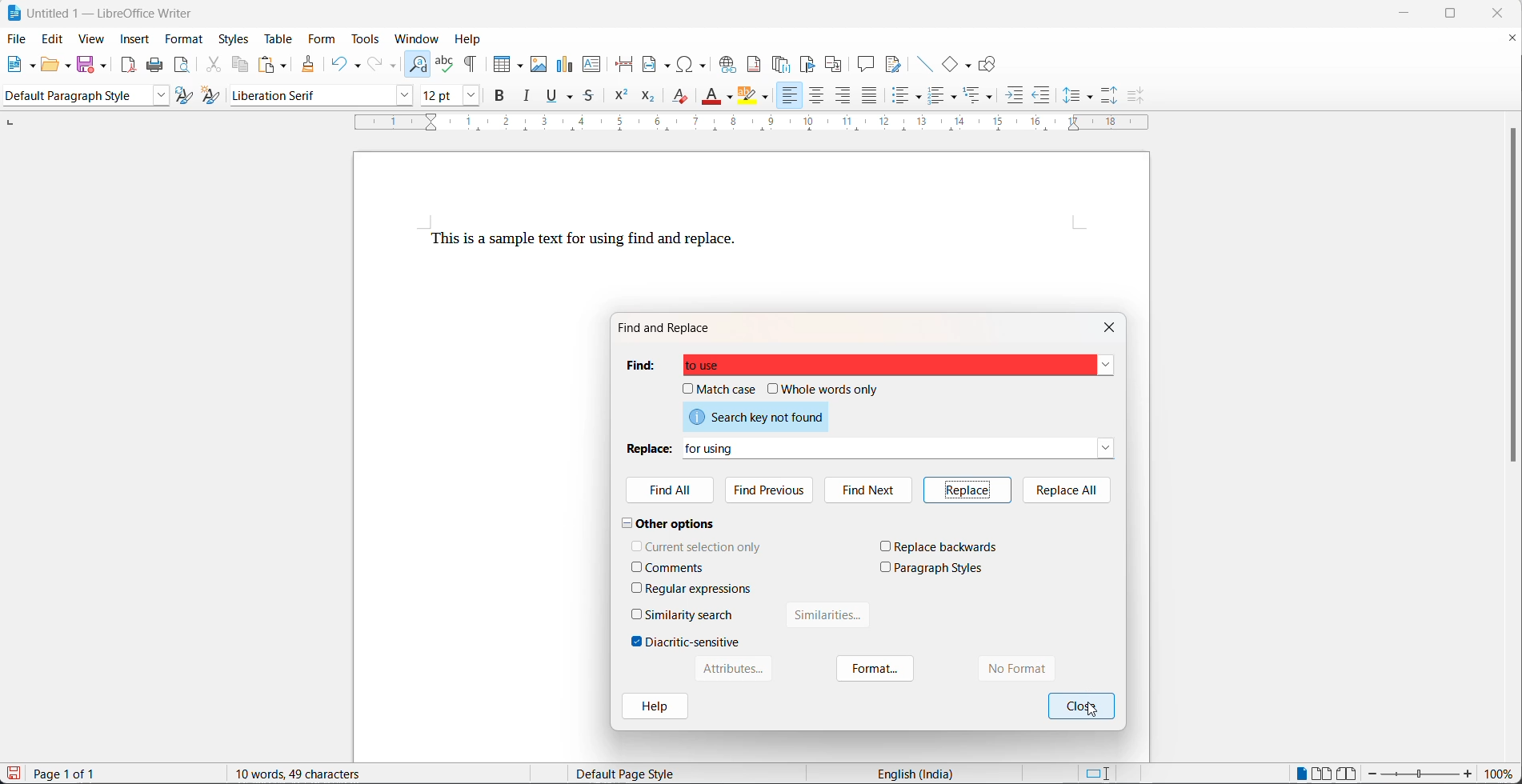 This screenshot has height=784, width=1522. I want to click on create new style with selection, so click(214, 95).